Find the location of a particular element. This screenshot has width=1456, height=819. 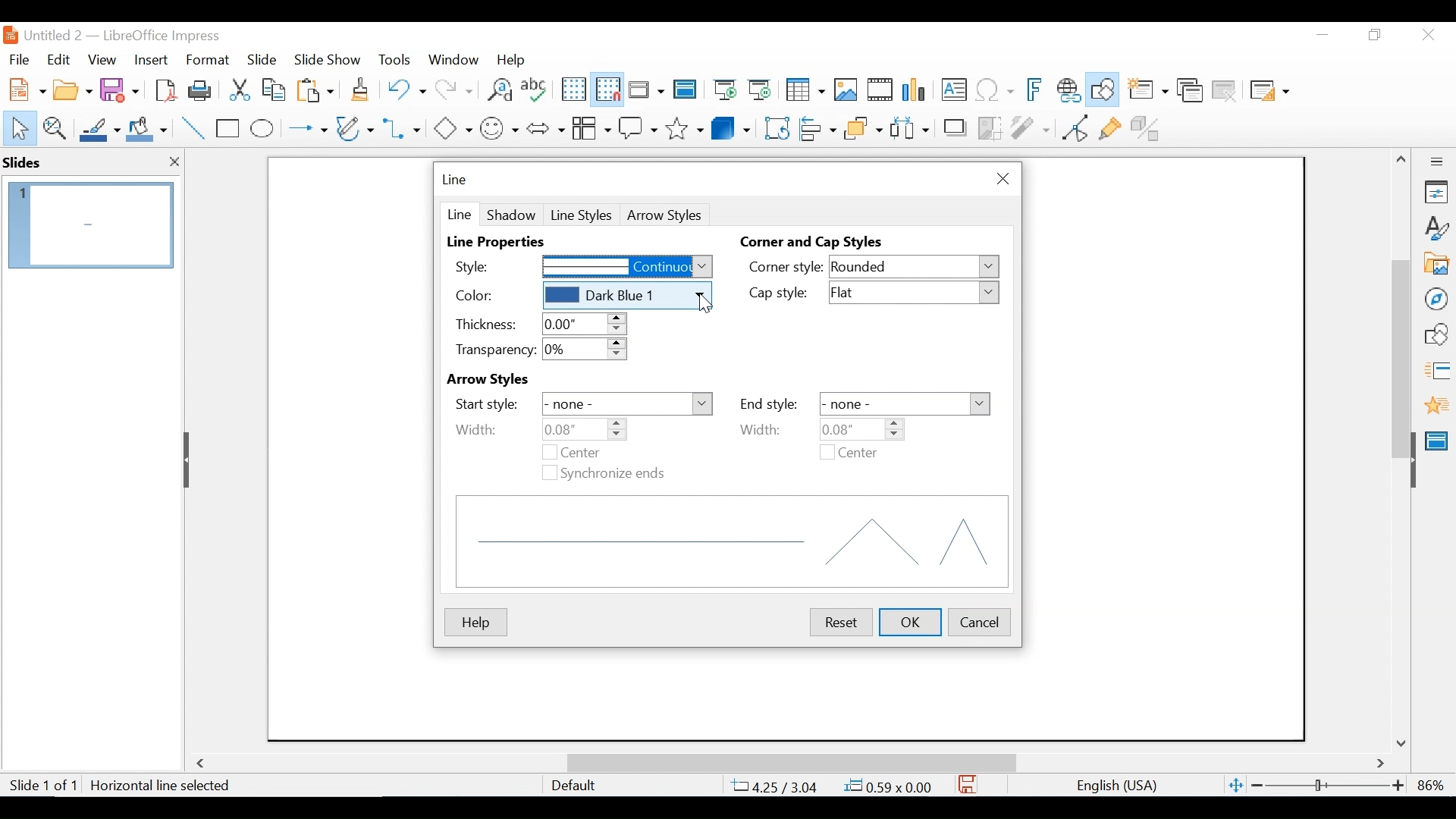

Dark blue 1 is located at coordinates (626, 296).